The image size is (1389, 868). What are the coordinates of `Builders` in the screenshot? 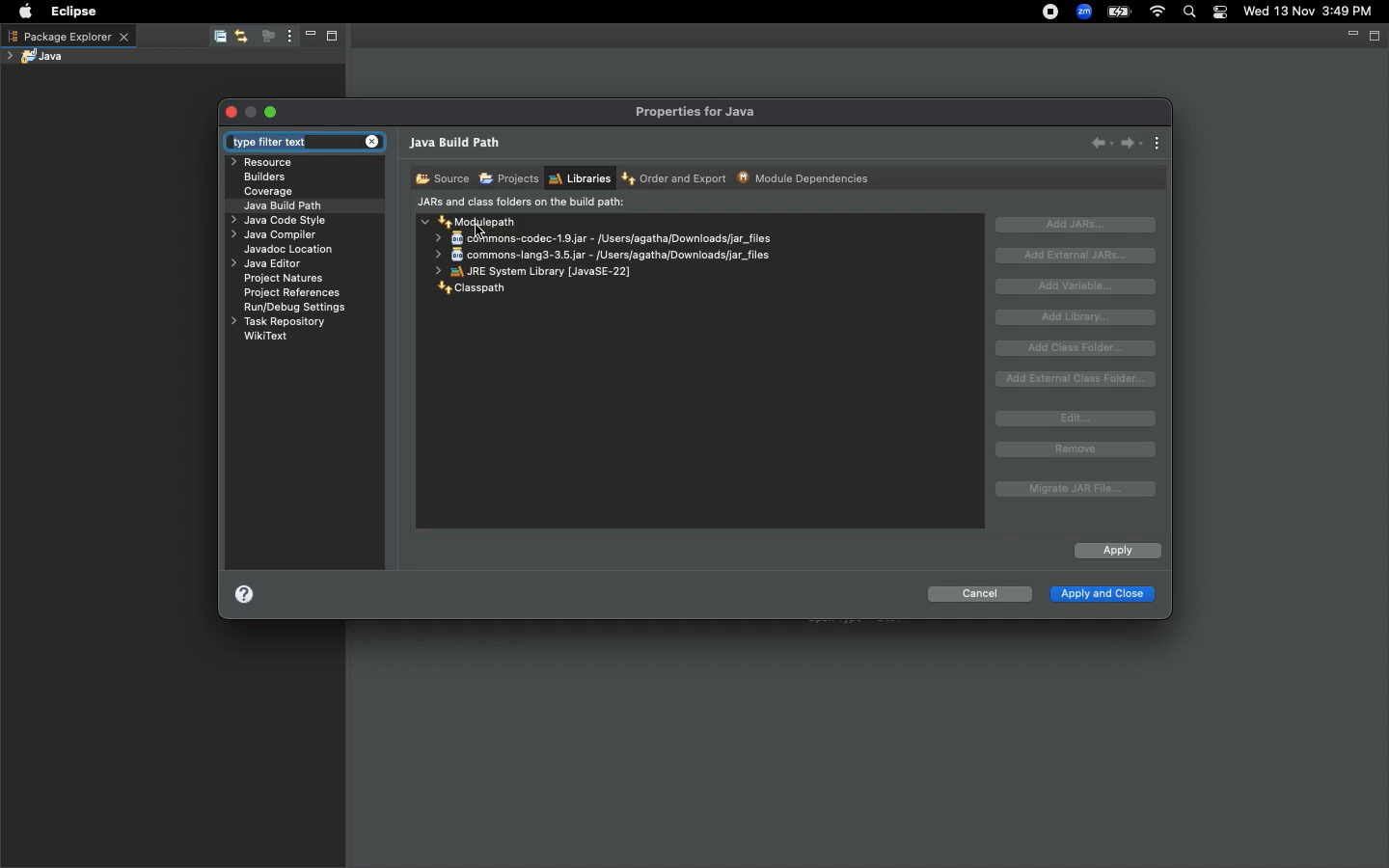 It's located at (265, 177).